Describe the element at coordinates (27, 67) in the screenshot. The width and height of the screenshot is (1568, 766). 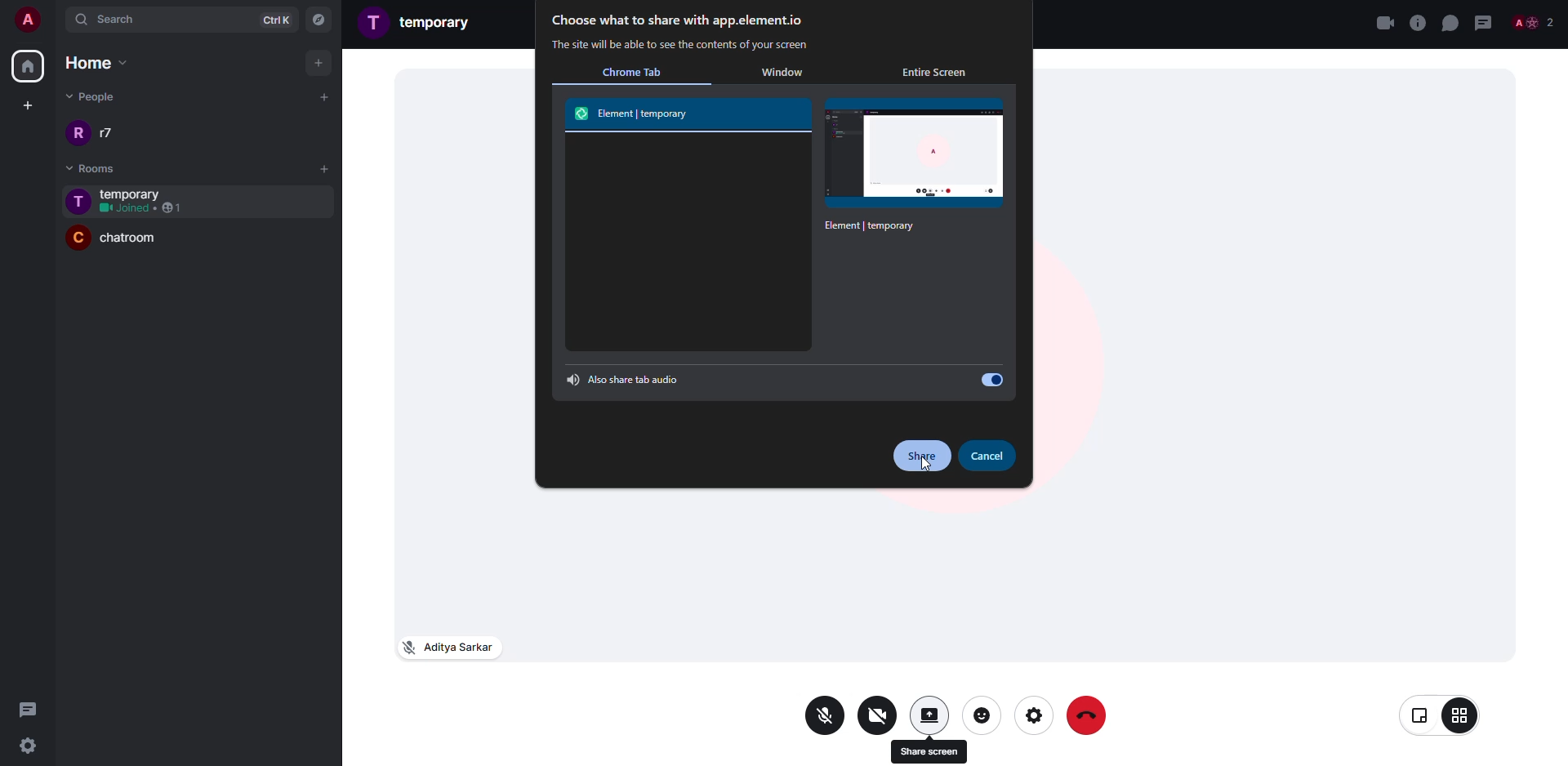
I see `home` at that location.